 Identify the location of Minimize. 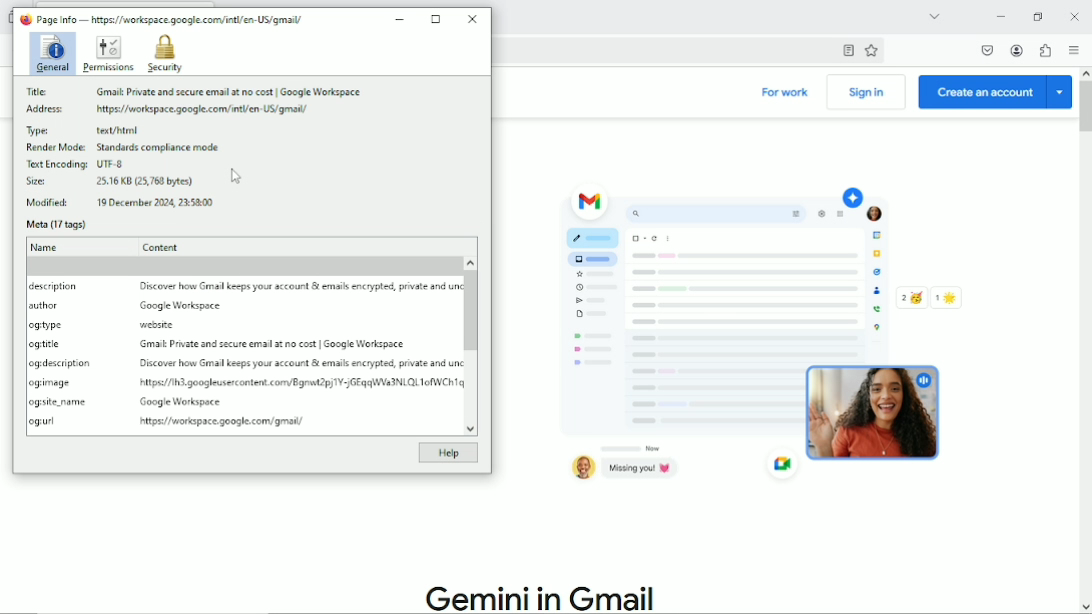
(402, 17).